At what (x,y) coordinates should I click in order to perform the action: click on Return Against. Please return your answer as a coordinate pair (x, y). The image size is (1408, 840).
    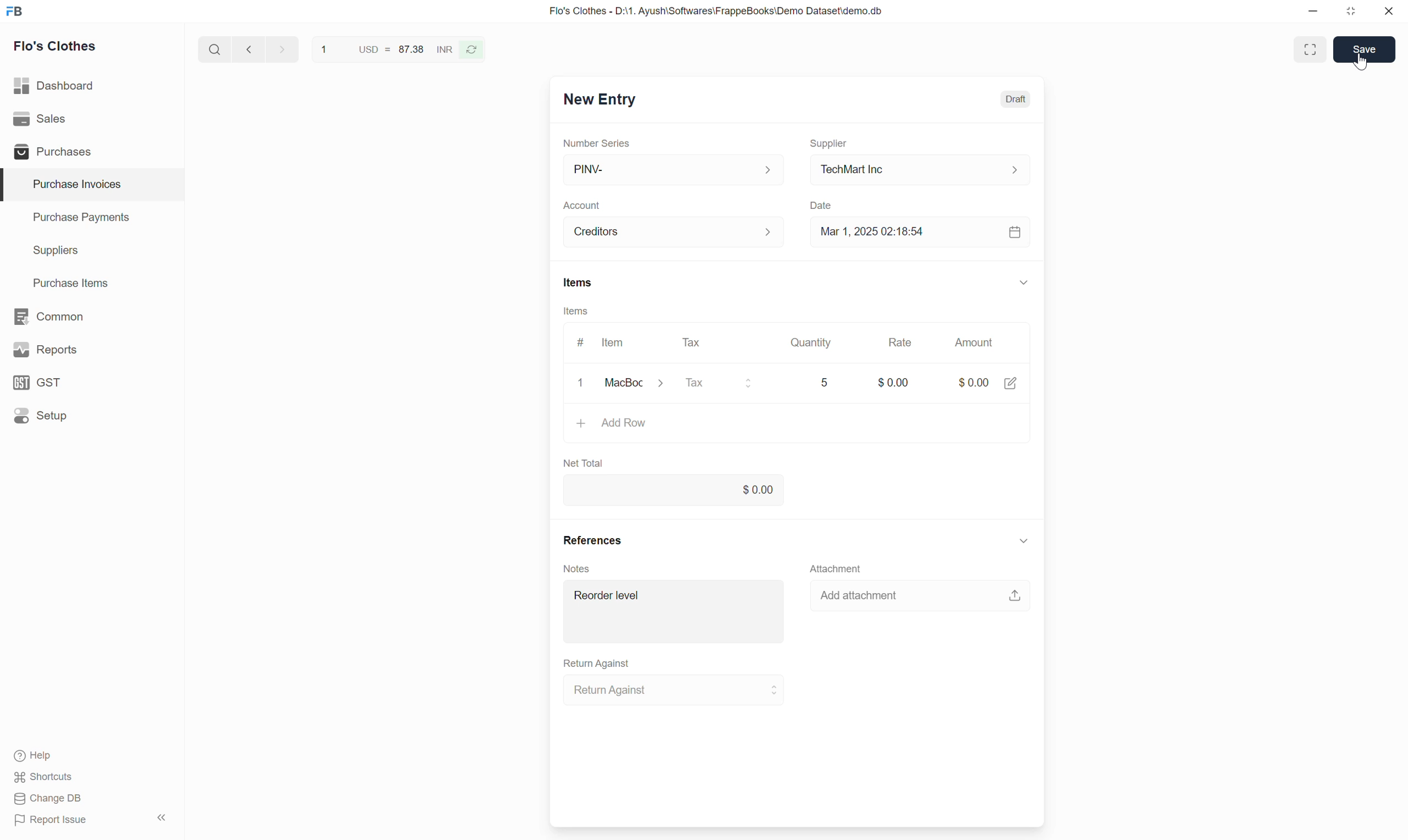
    Looking at the image, I should click on (597, 664).